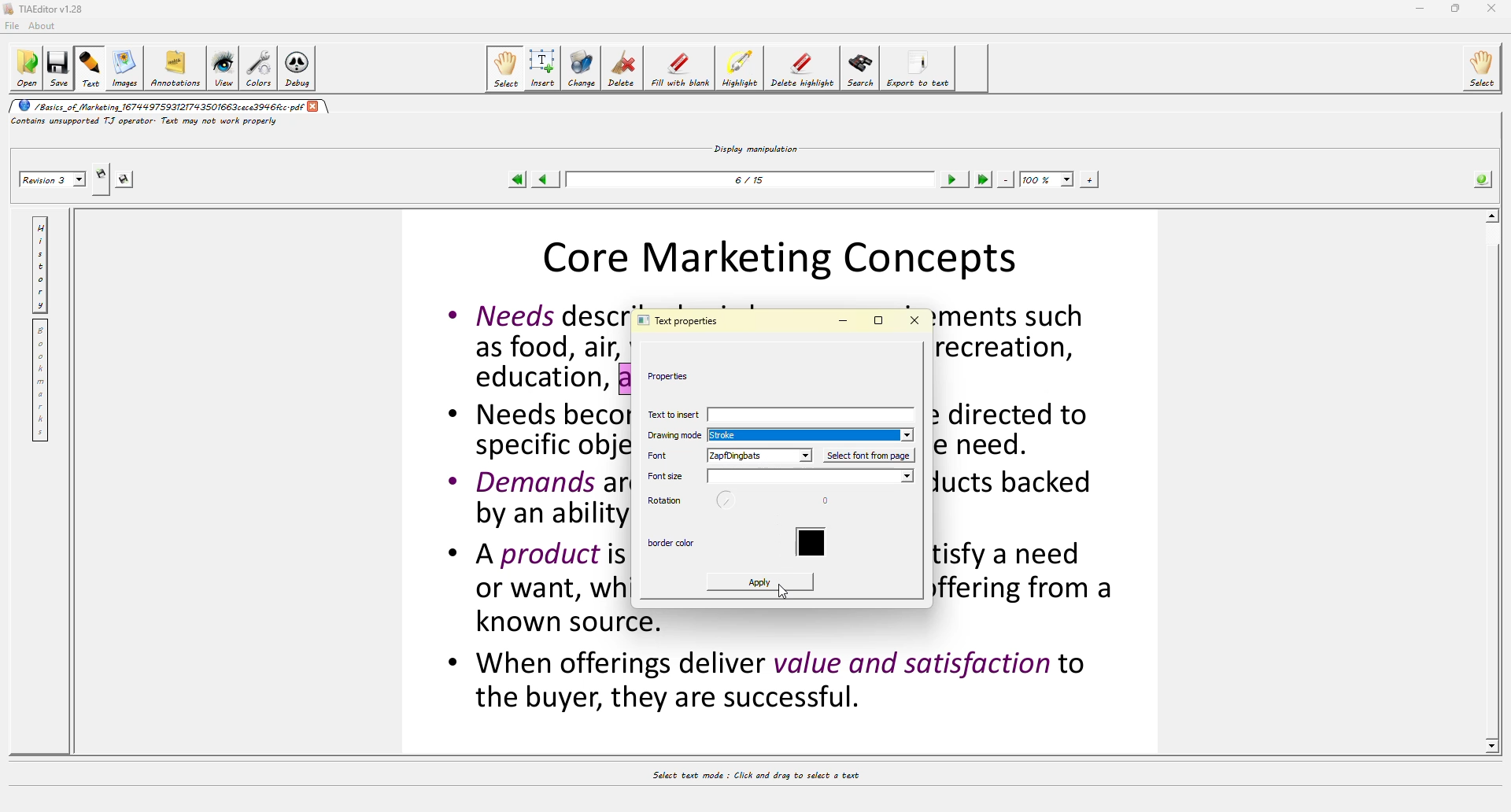 The image size is (1511, 812). I want to click on * When offerings aeliver value and satisfaction to
the buyer, they are successful., so click(770, 682).